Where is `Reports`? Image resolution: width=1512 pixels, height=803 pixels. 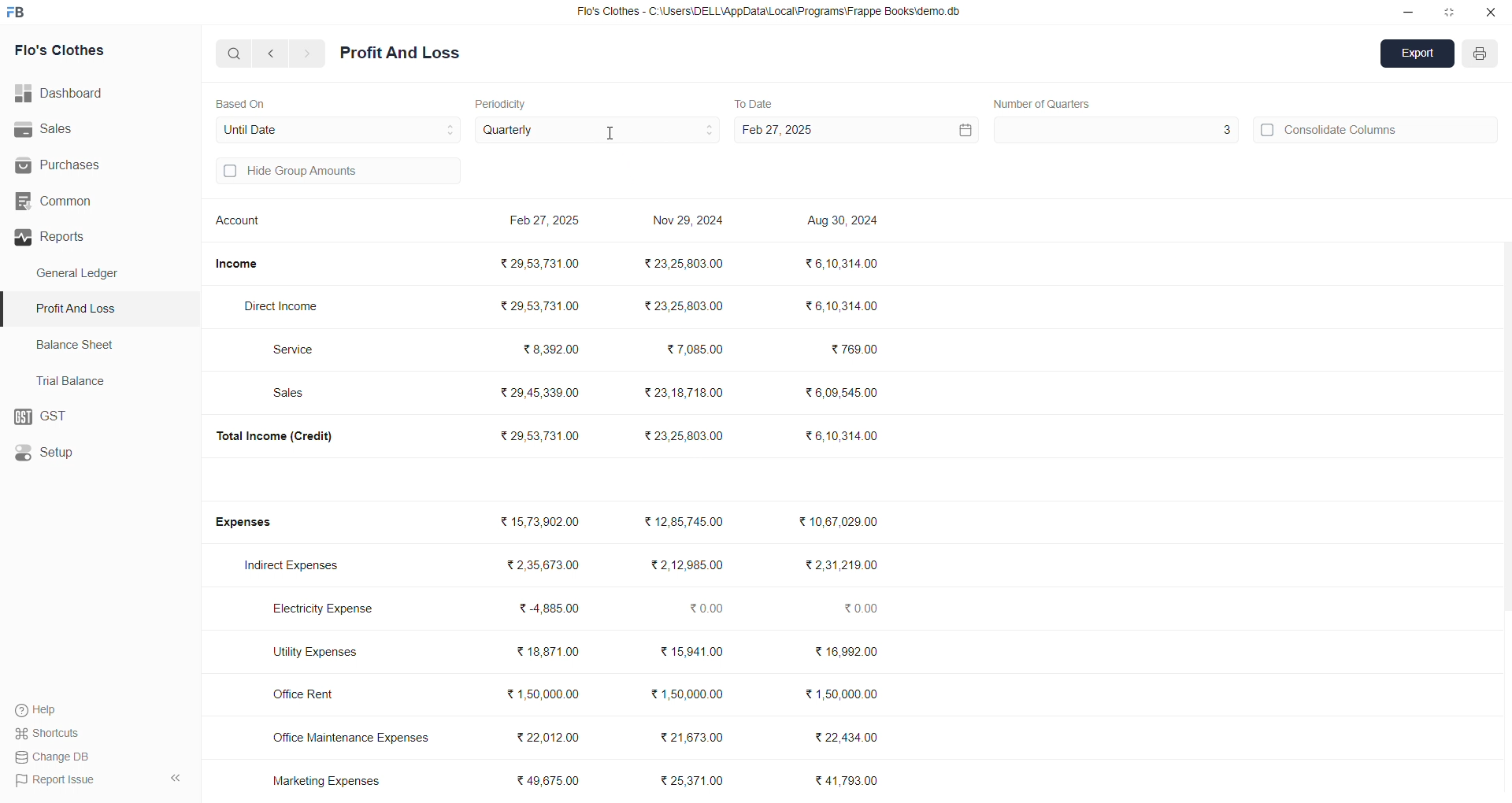 Reports is located at coordinates (94, 237).